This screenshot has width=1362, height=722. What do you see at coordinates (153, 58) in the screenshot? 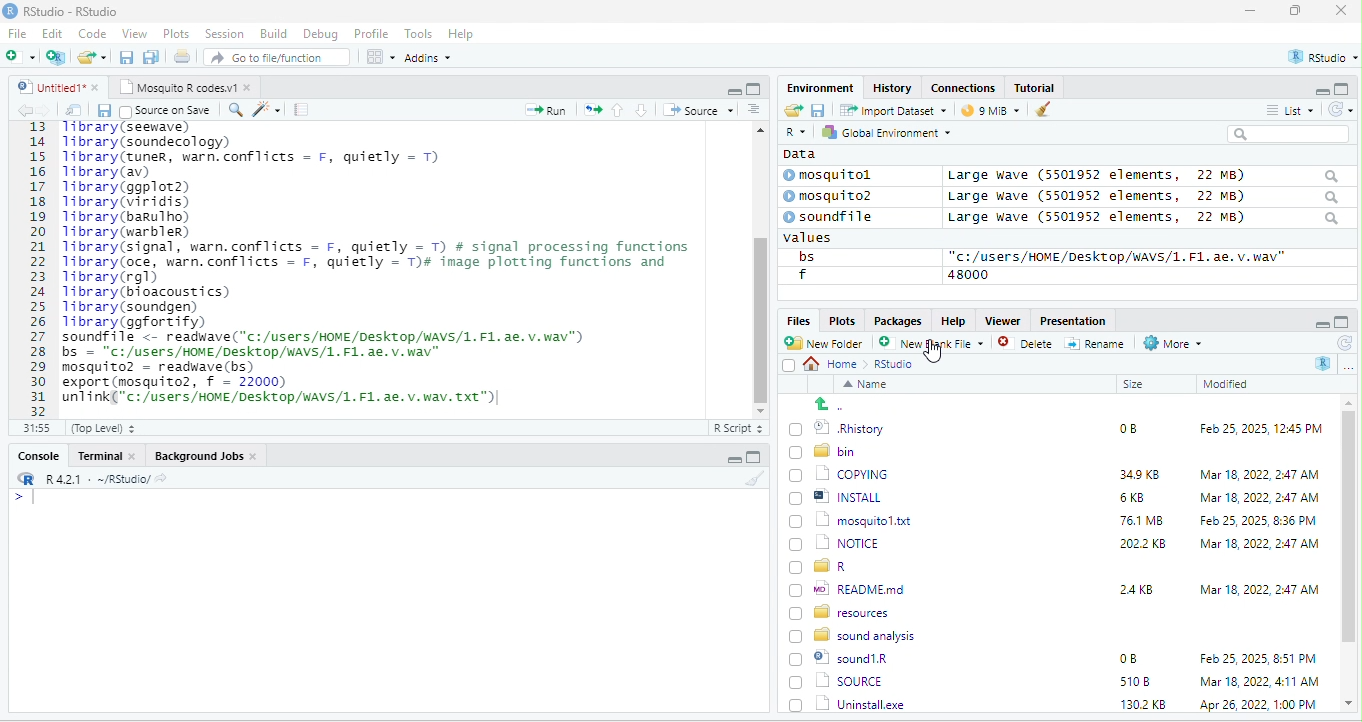
I see `save as` at bounding box center [153, 58].